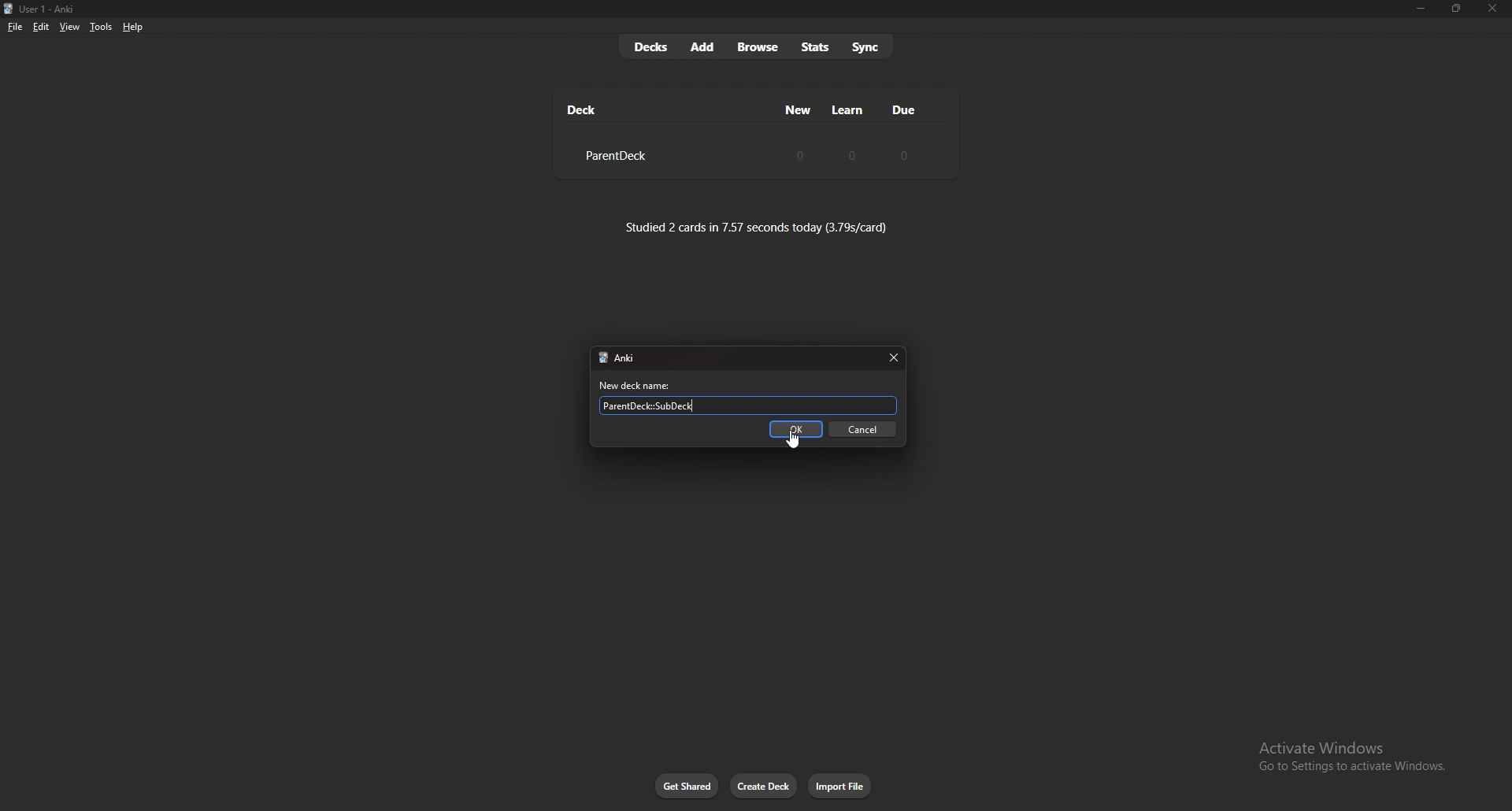 The image size is (1512, 811). Describe the element at coordinates (52, 9) in the screenshot. I see `User 1 - Anki` at that location.